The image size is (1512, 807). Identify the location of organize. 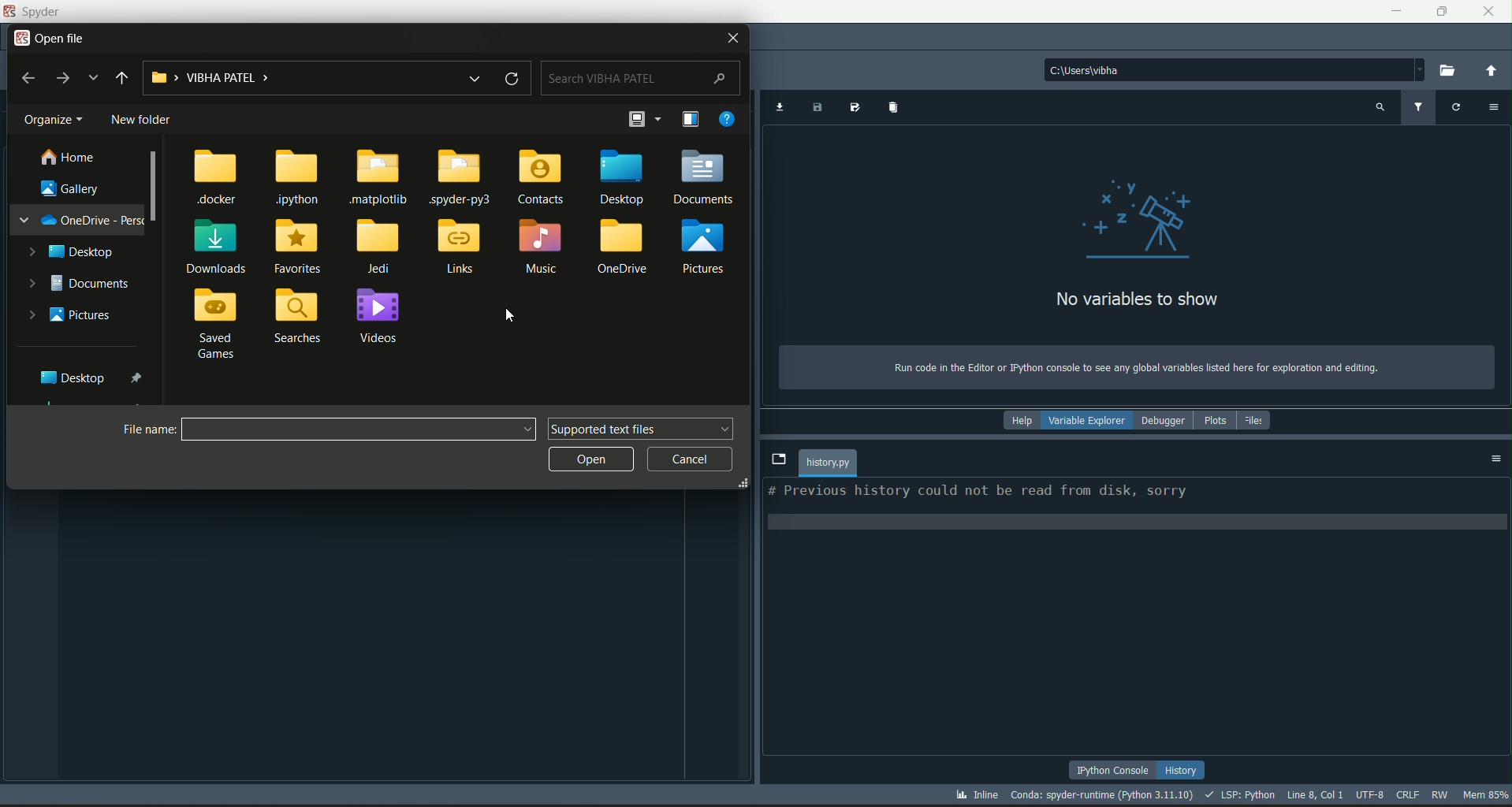
(56, 120).